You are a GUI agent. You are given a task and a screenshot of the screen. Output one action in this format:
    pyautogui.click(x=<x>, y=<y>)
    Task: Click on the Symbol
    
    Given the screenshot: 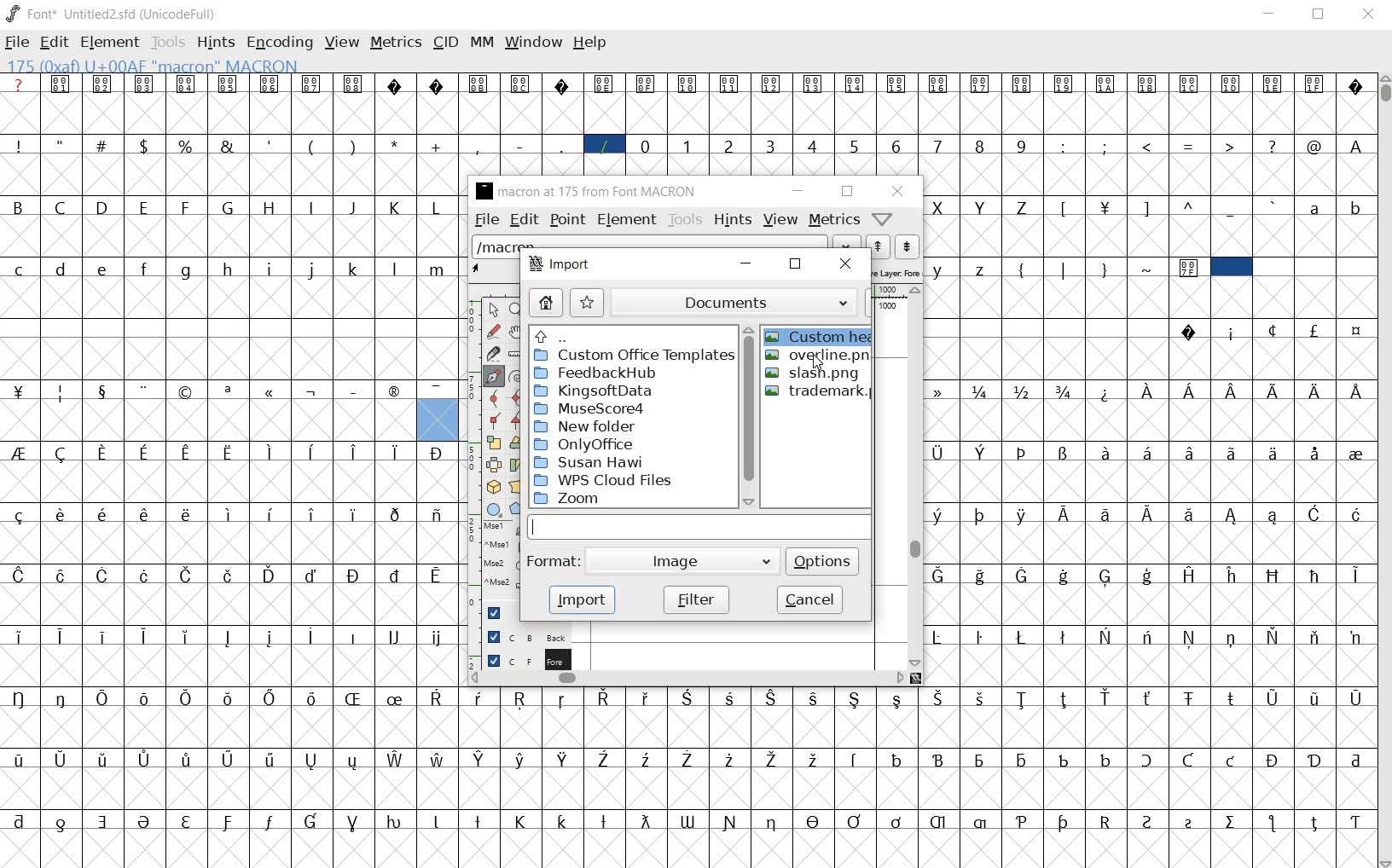 What is the action you would take?
    pyautogui.click(x=1064, y=757)
    